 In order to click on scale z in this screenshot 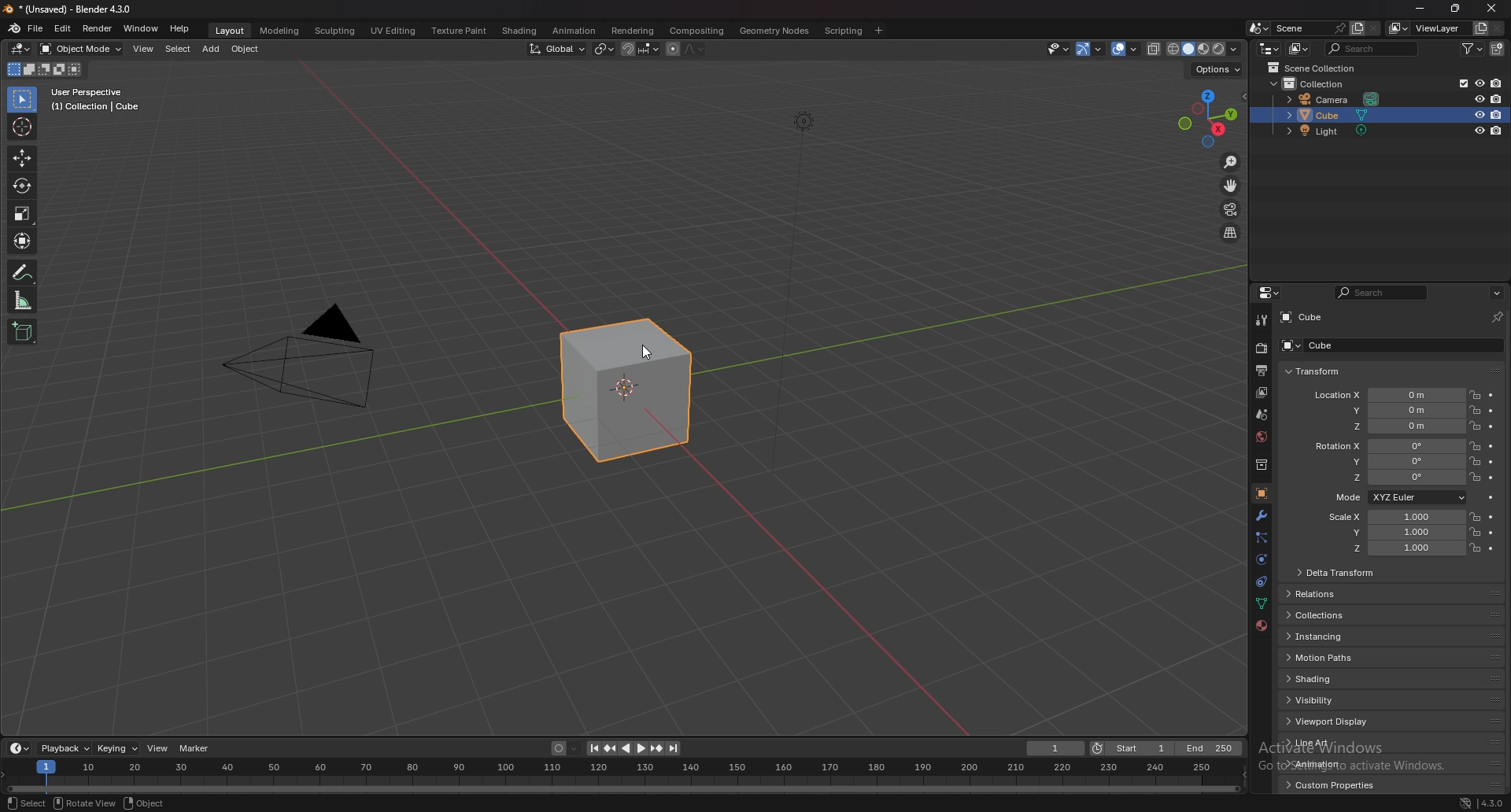, I will do `click(1395, 548)`.